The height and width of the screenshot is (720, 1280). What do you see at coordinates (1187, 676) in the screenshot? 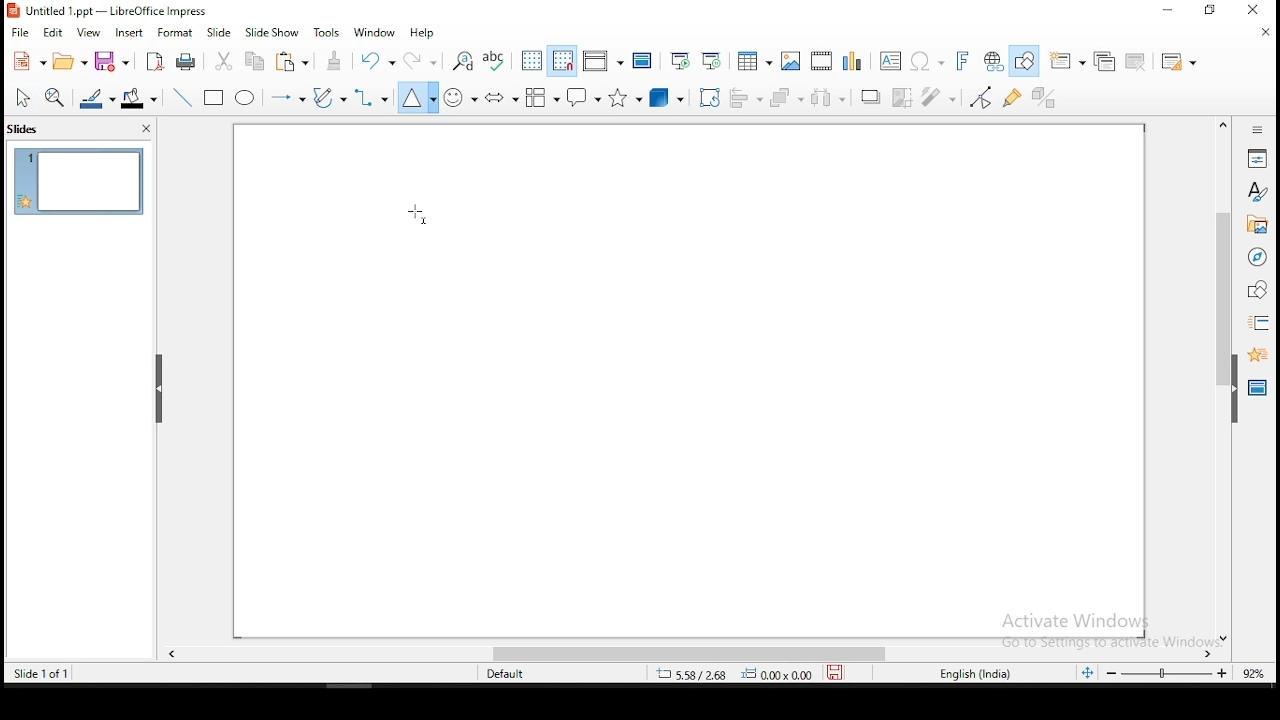
I see `zoom` at bounding box center [1187, 676].